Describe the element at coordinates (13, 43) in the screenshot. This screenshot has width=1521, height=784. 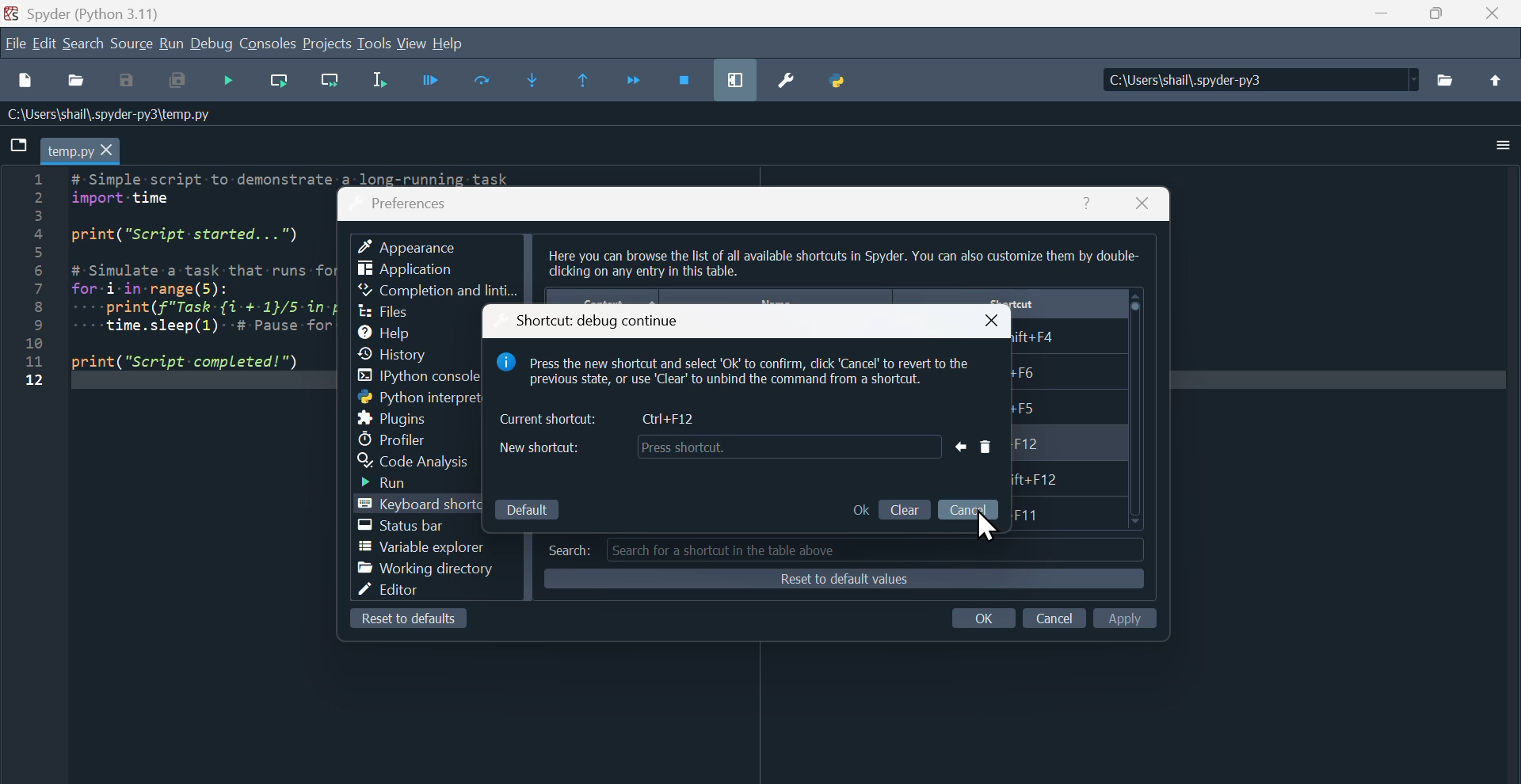
I see `File` at that location.